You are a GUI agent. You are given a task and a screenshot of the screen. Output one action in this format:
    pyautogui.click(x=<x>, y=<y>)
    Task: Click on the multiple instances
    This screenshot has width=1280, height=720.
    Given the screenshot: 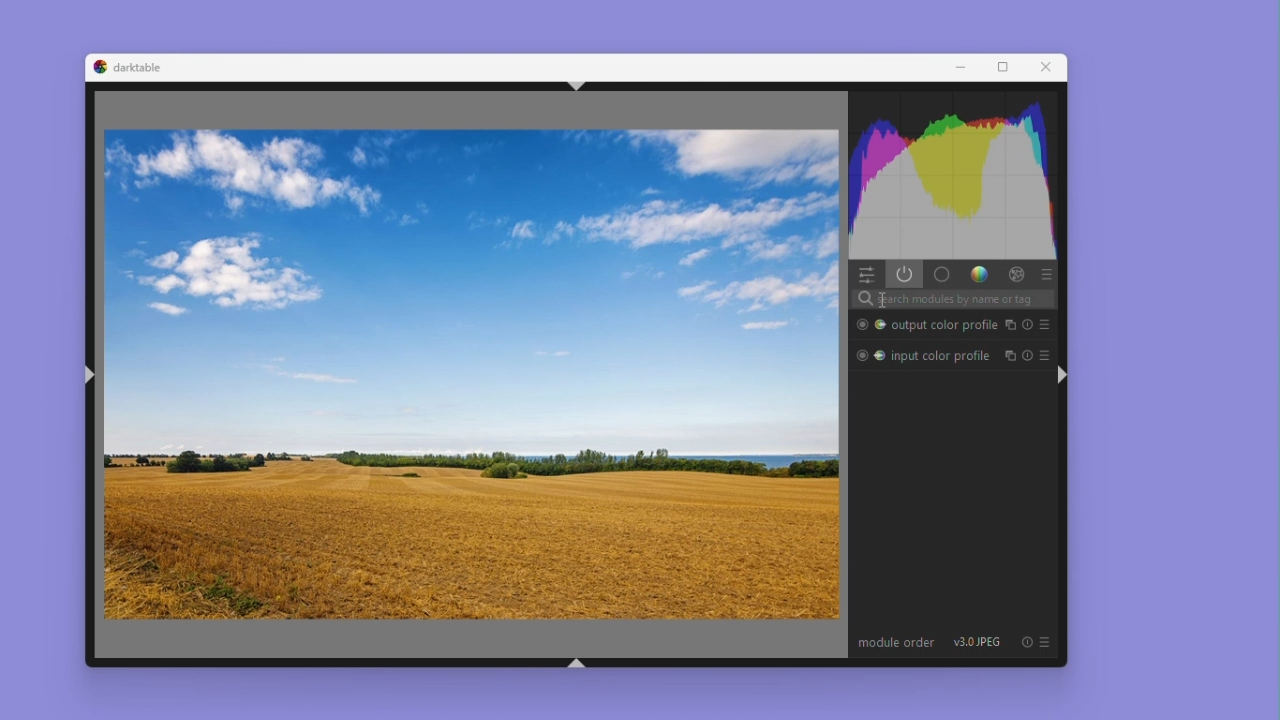 What is the action you would take?
    pyautogui.click(x=1009, y=356)
    